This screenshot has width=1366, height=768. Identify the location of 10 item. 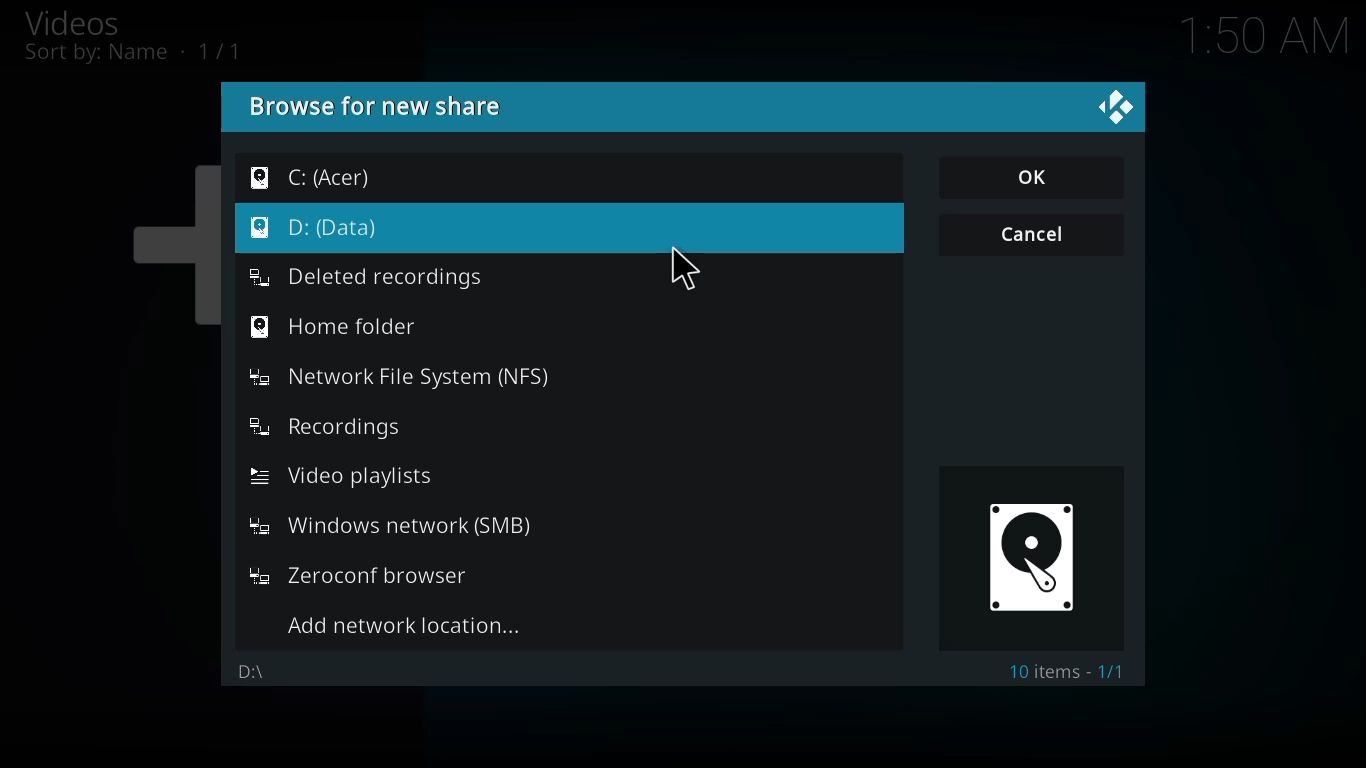
(1063, 668).